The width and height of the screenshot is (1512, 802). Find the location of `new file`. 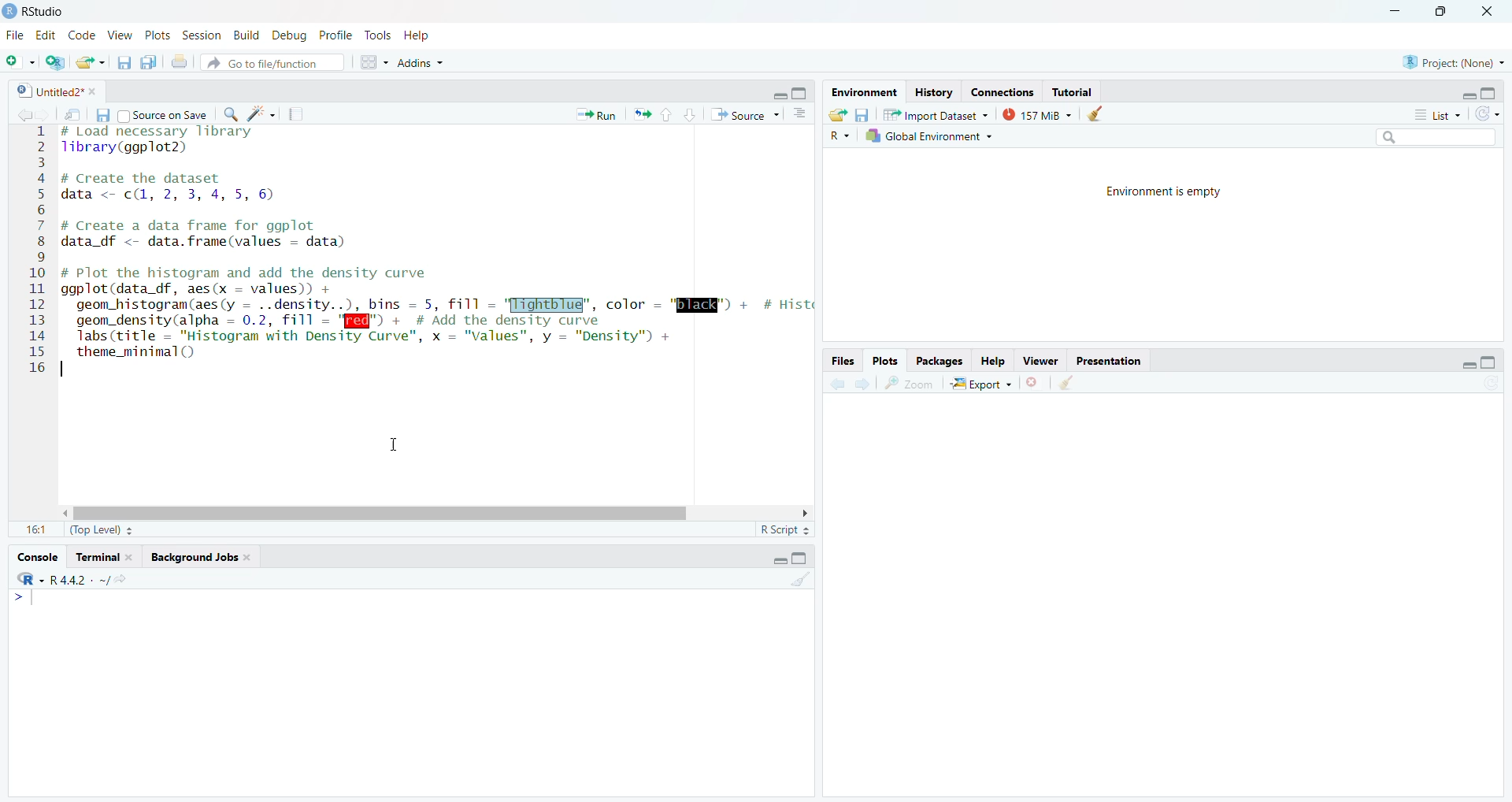

new file is located at coordinates (19, 63).